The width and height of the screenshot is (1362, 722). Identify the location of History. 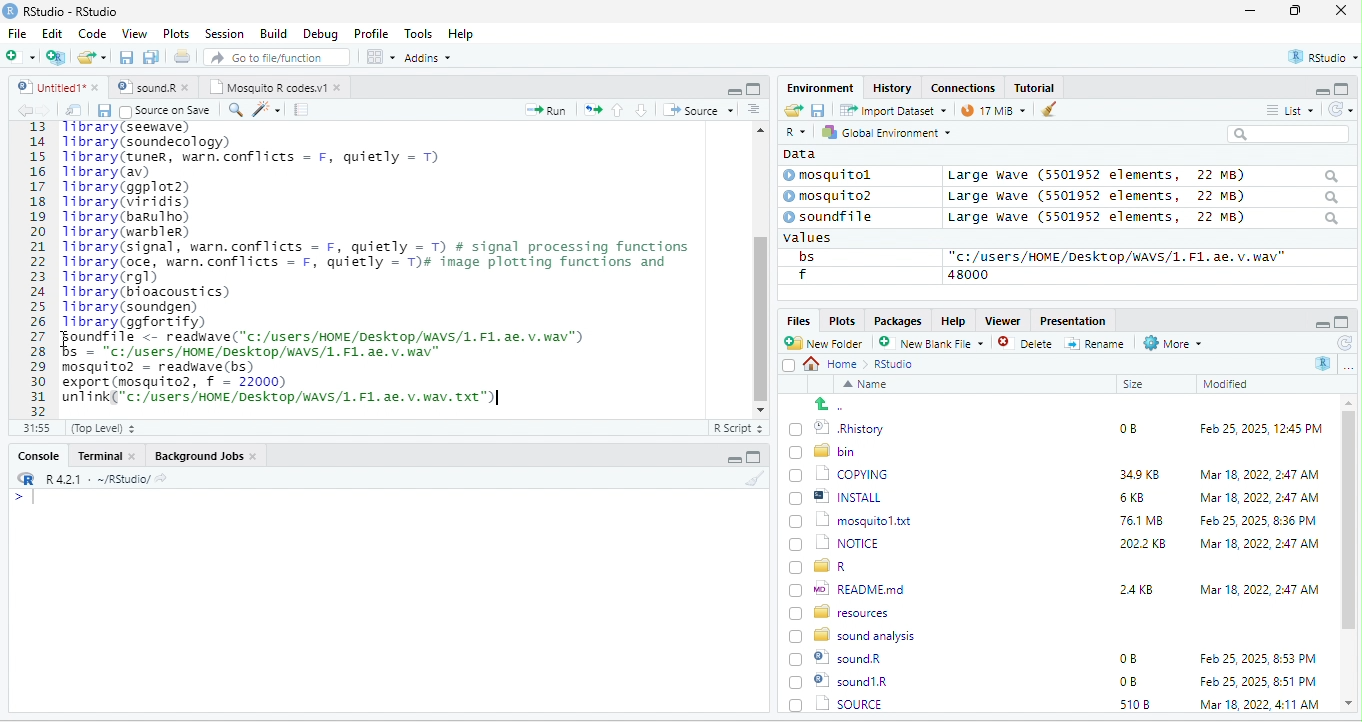
(893, 87).